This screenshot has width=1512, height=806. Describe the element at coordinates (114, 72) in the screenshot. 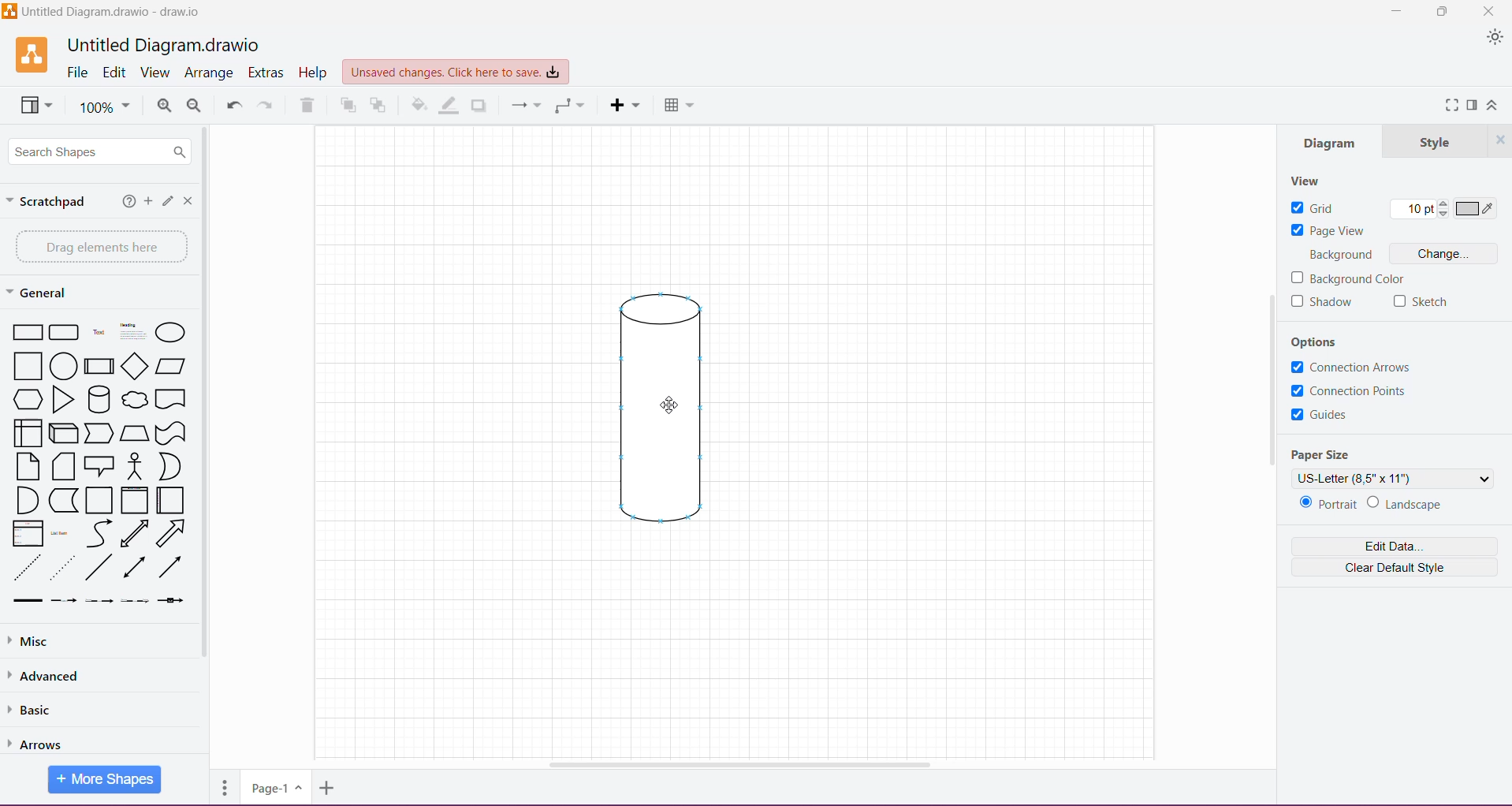

I see `Edit` at that location.